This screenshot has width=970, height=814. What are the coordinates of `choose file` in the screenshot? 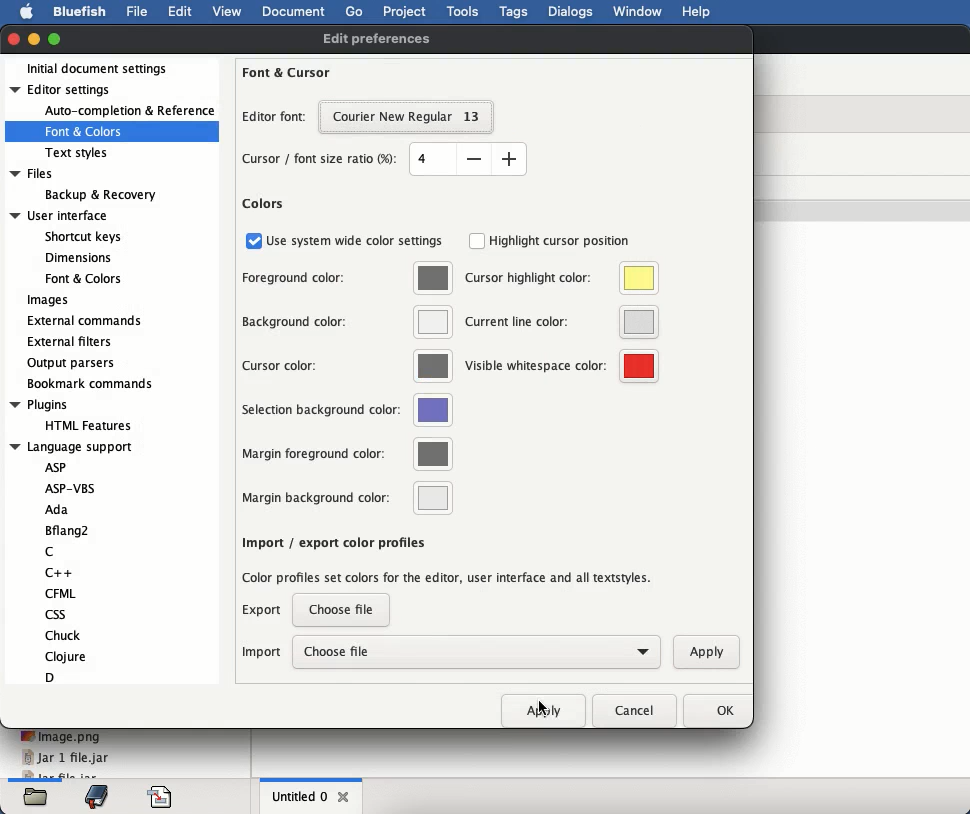 It's located at (475, 651).